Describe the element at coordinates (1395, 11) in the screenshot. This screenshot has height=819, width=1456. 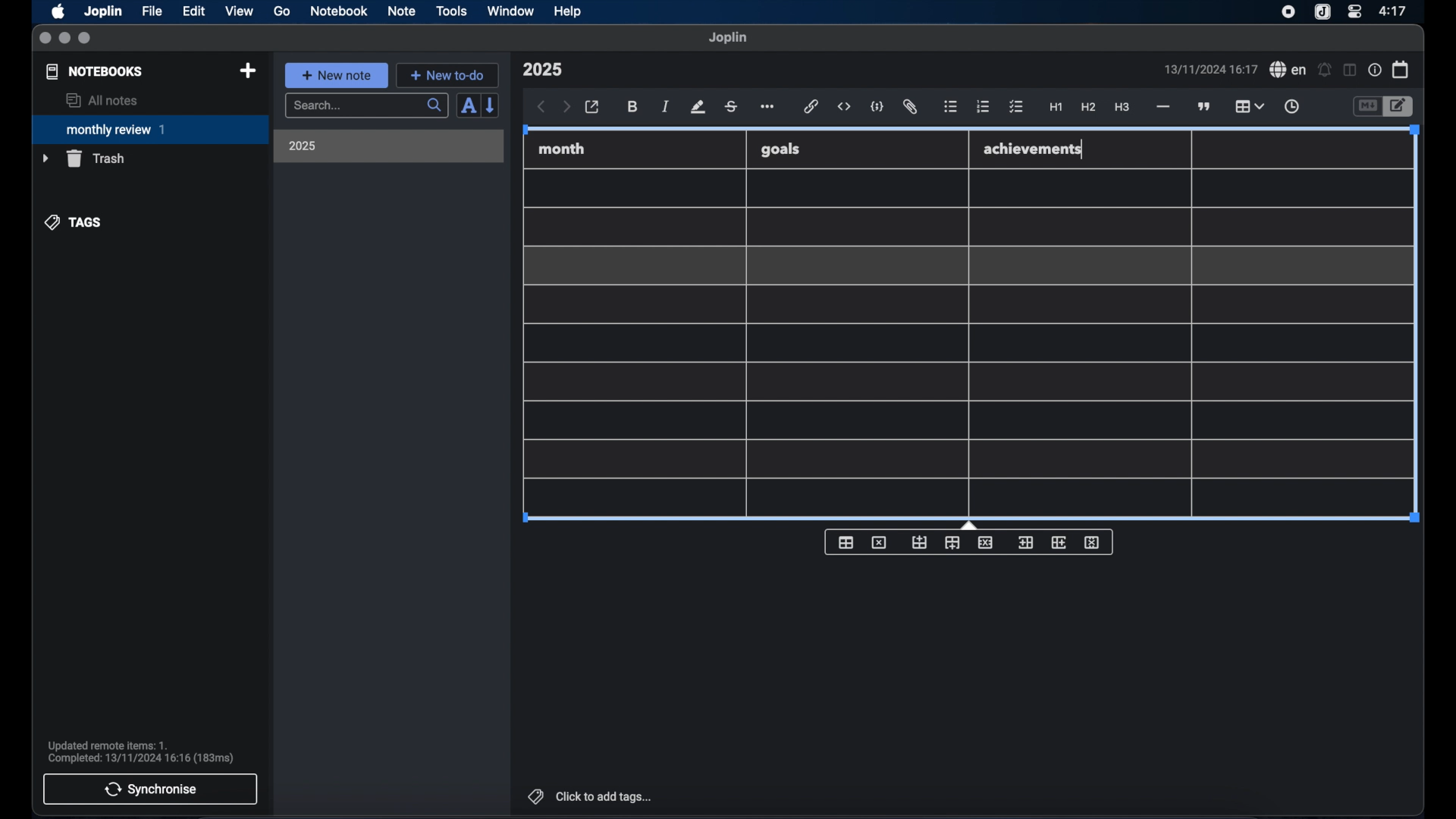
I see `time` at that location.